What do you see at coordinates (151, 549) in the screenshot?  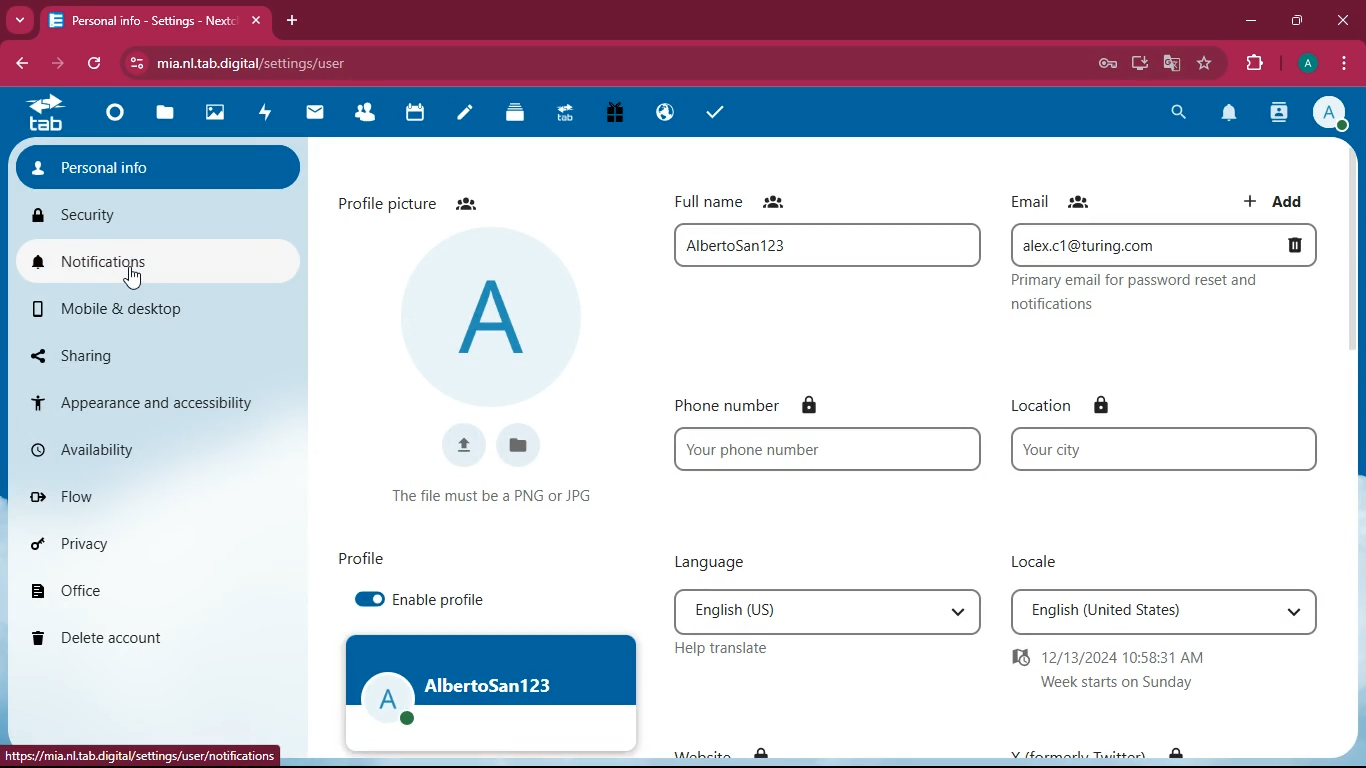 I see `privacy` at bounding box center [151, 549].